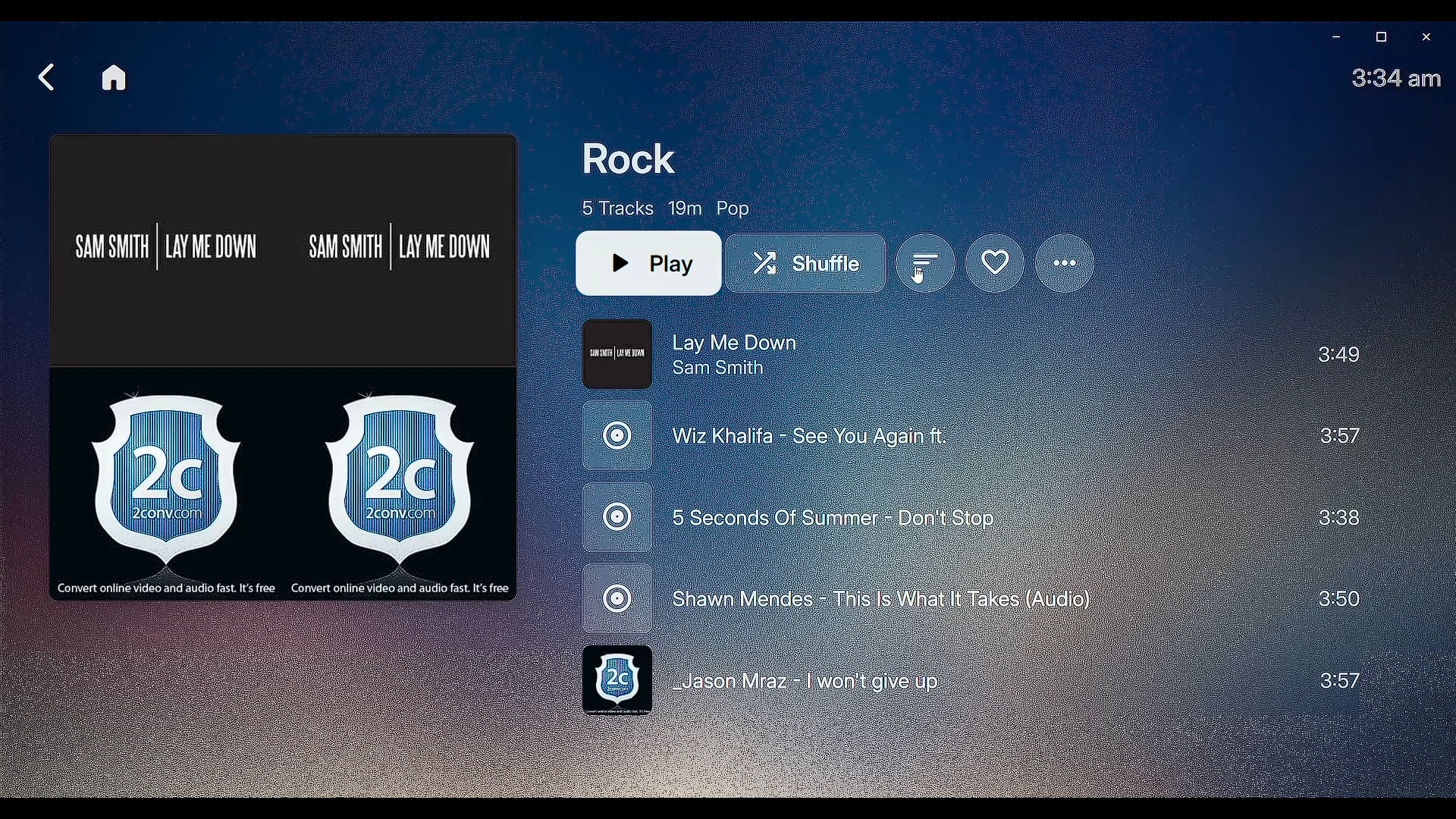  Describe the element at coordinates (811, 265) in the screenshot. I see `Shuffle` at that location.